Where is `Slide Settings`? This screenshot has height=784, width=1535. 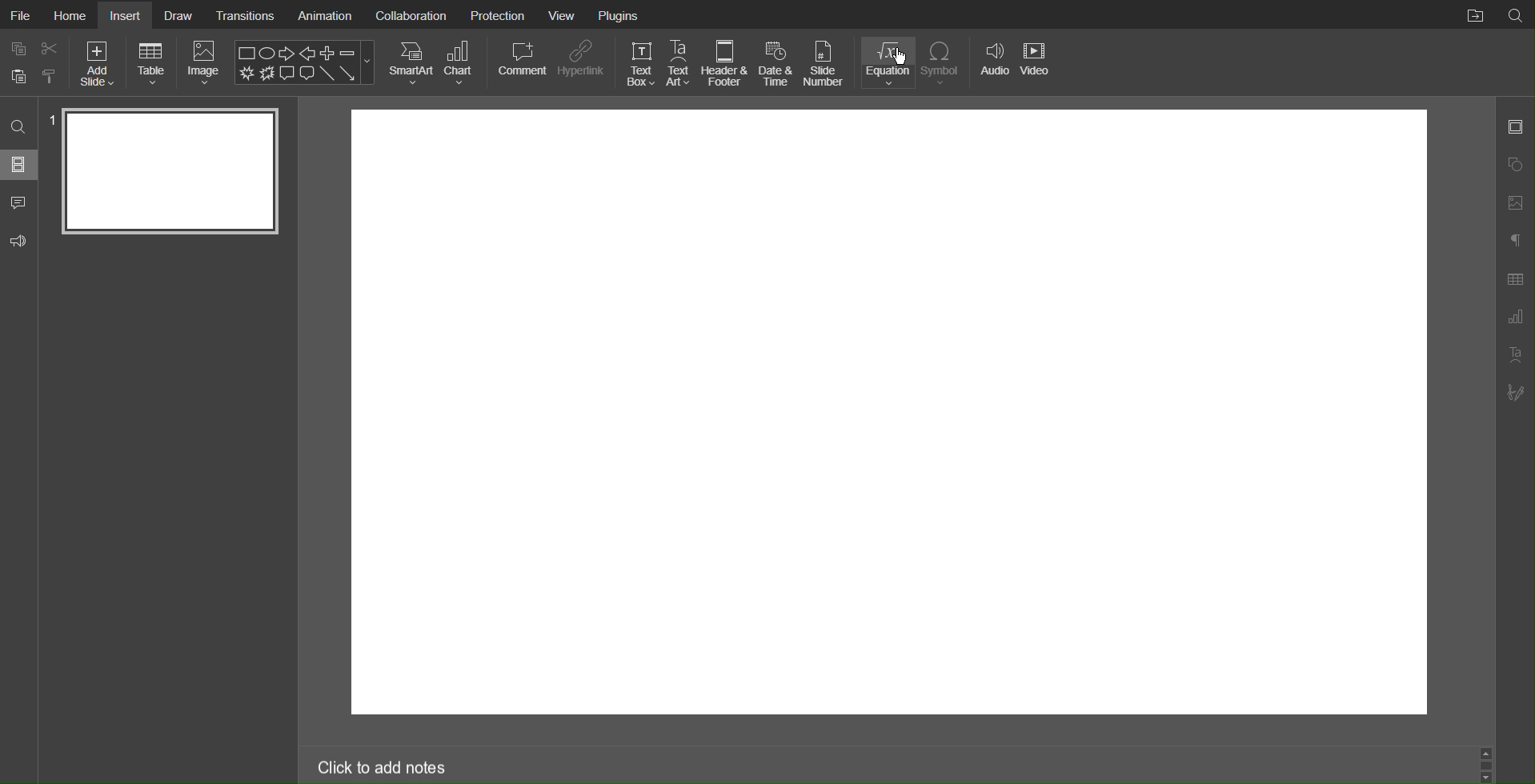
Slide Settings is located at coordinates (1514, 126).